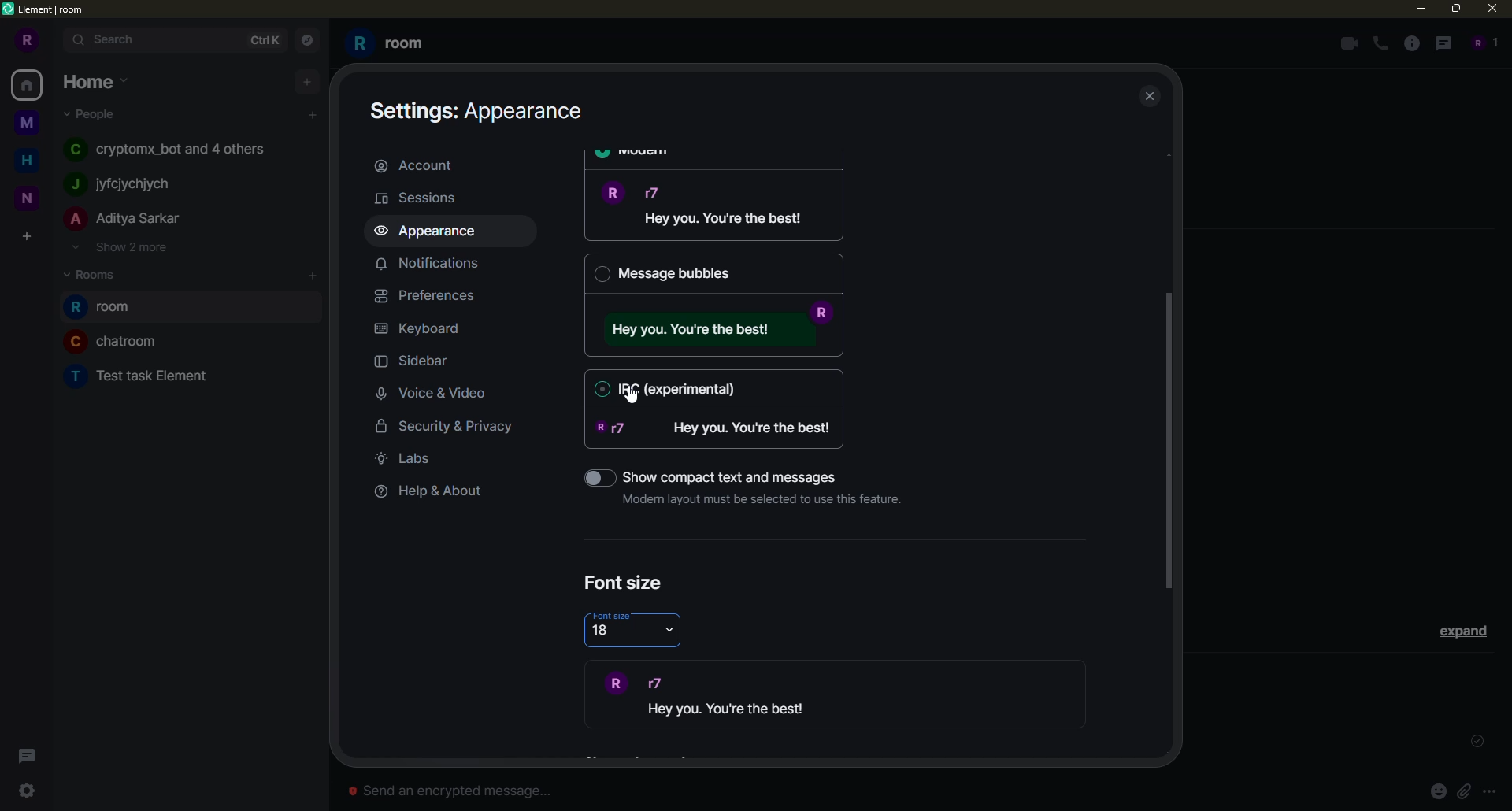 The width and height of the screenshot is (1512, 811). Describe the element at coordinates (715, 431) in the screenshot. I see `message` at that location.